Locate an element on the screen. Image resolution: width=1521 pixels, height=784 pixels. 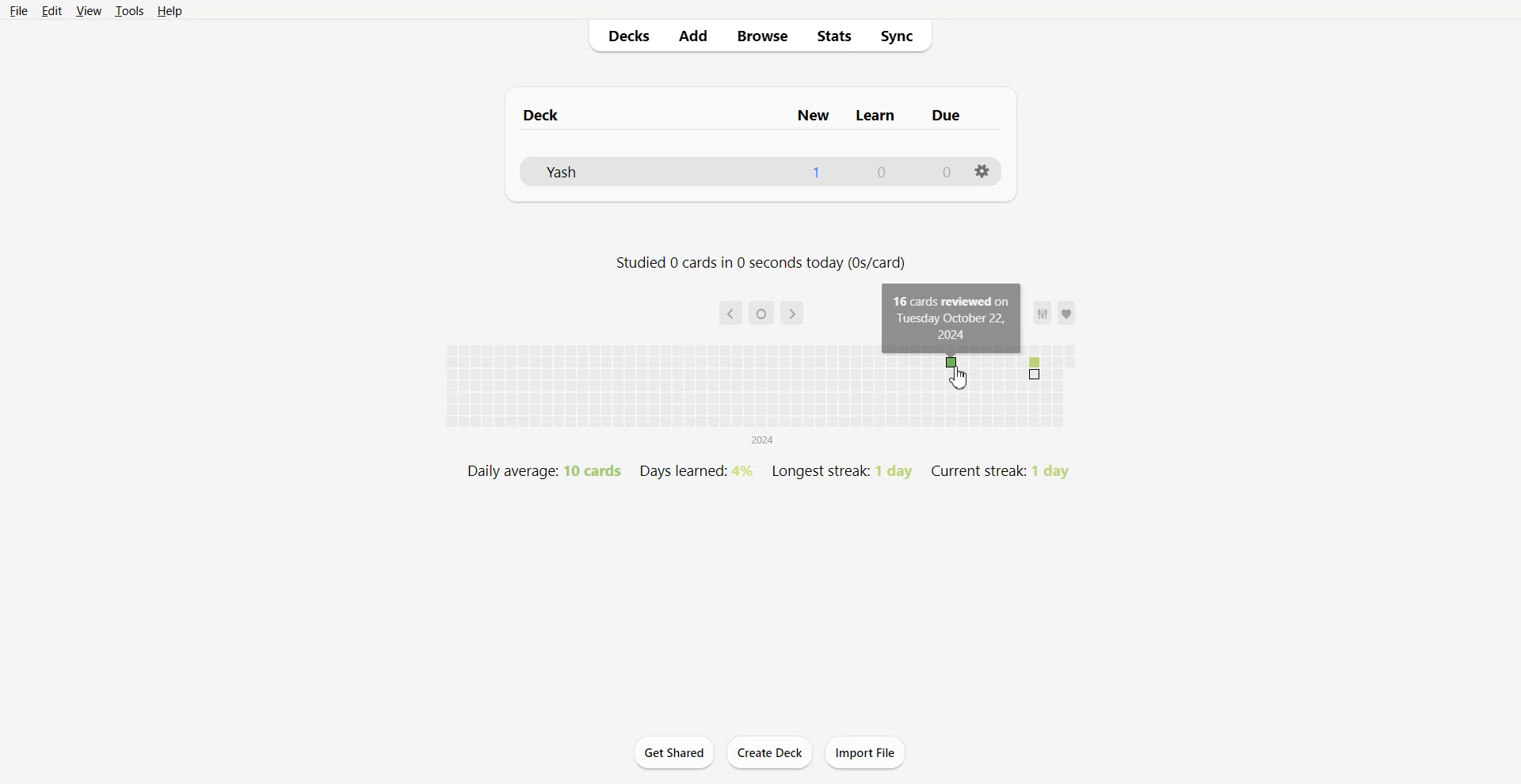
due is located at coordinates (946, 116).